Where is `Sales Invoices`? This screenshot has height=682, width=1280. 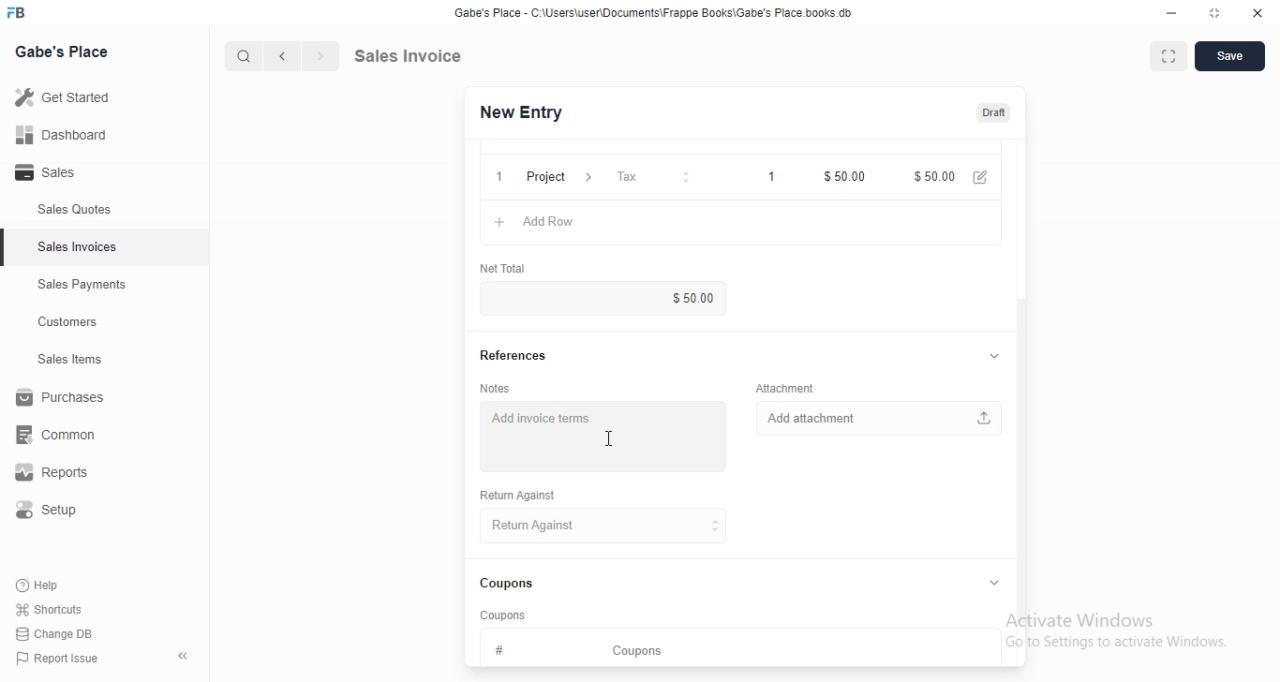
Sales Invoices is located at coordinates (79, 247).